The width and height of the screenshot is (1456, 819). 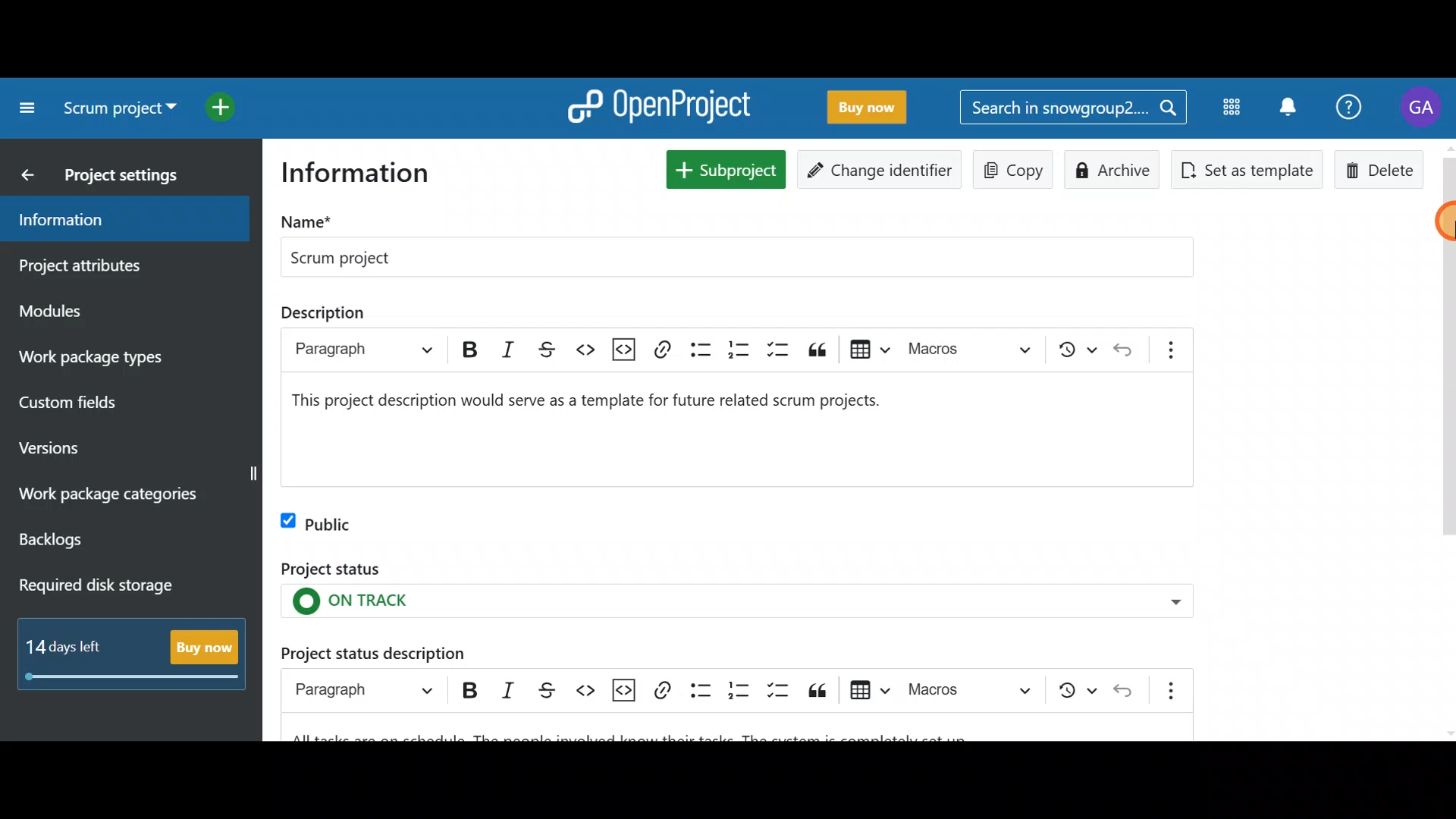 What do you see at coordinates (1013, 168) in the screenshot?
I see `Copy` at bounding box center [1013, 168].